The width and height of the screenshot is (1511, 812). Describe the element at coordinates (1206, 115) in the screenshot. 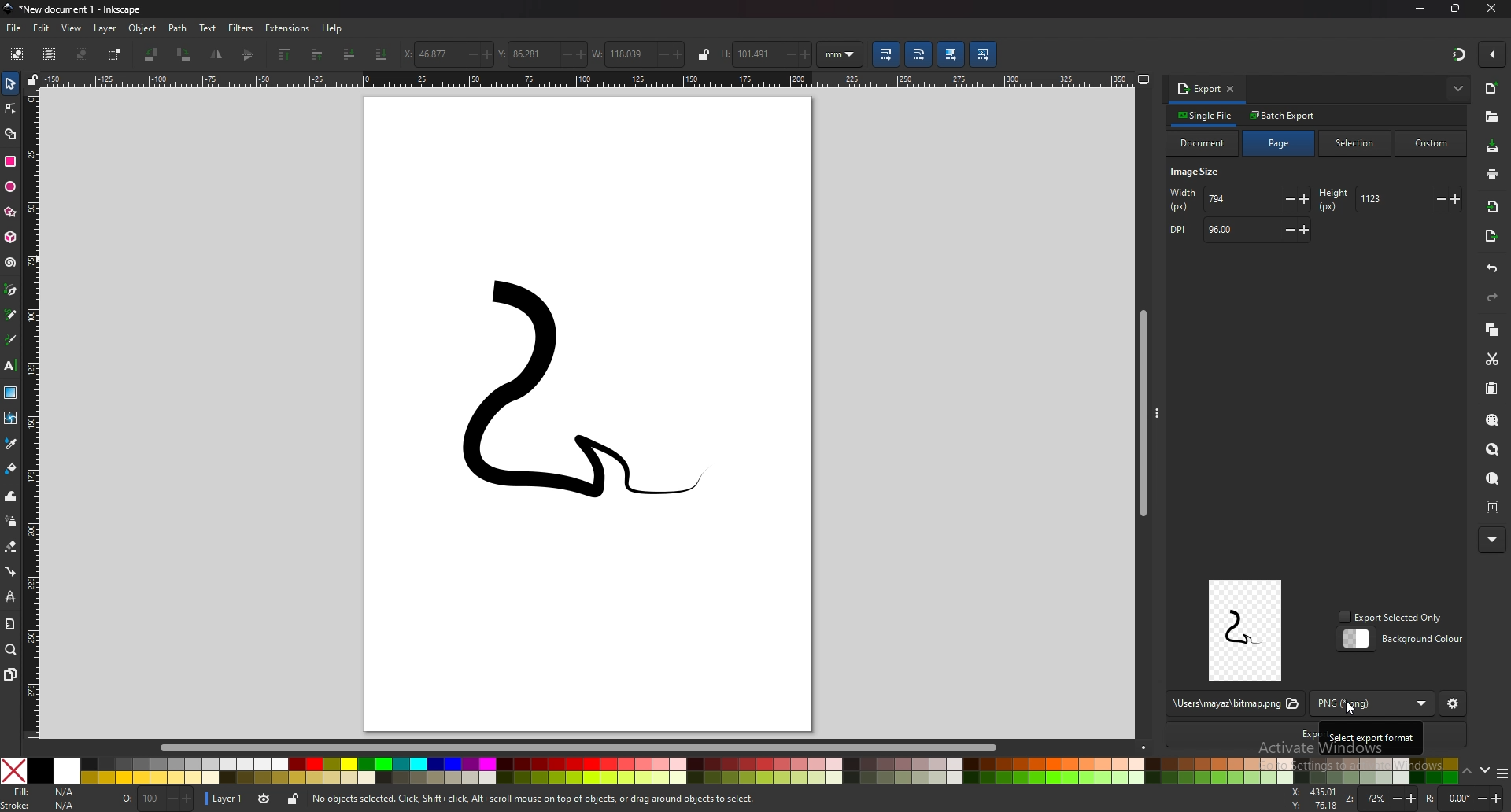

I see `single file` at that location.